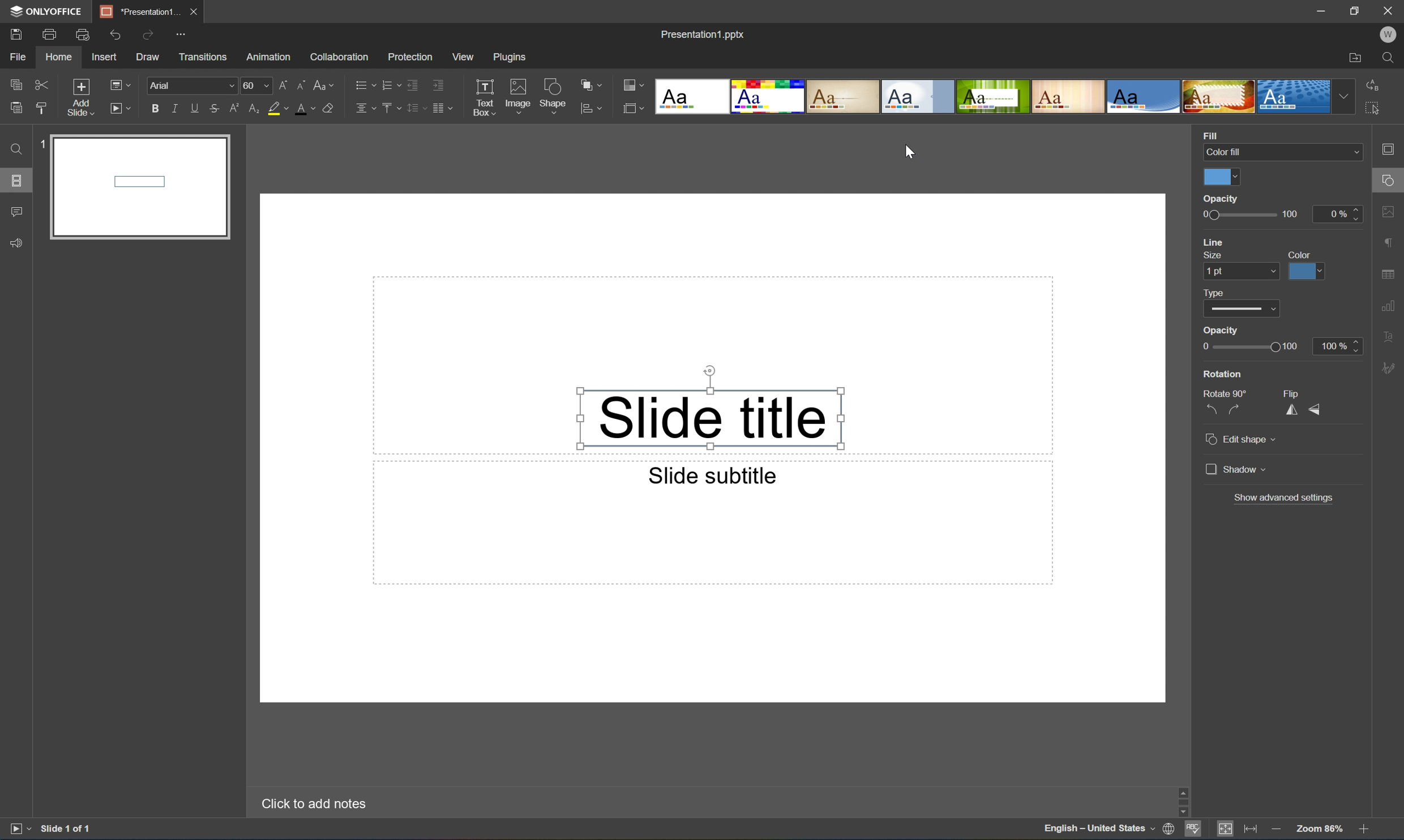 The width and height of the screenshot is (1404, 840). I want to click on Fill, so click(1214, 134).